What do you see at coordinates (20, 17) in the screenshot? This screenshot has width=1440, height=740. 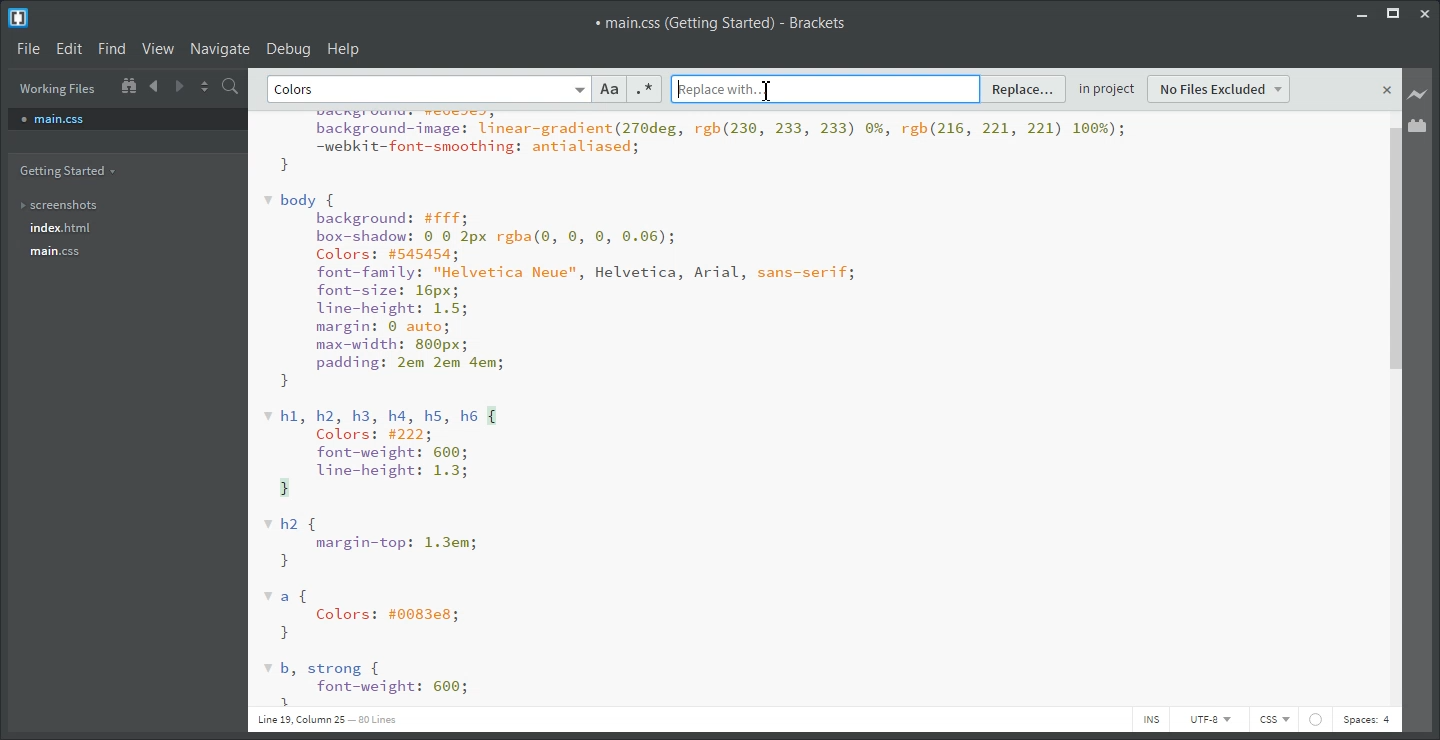 I see `Logo` at bounding box center [20, 17].